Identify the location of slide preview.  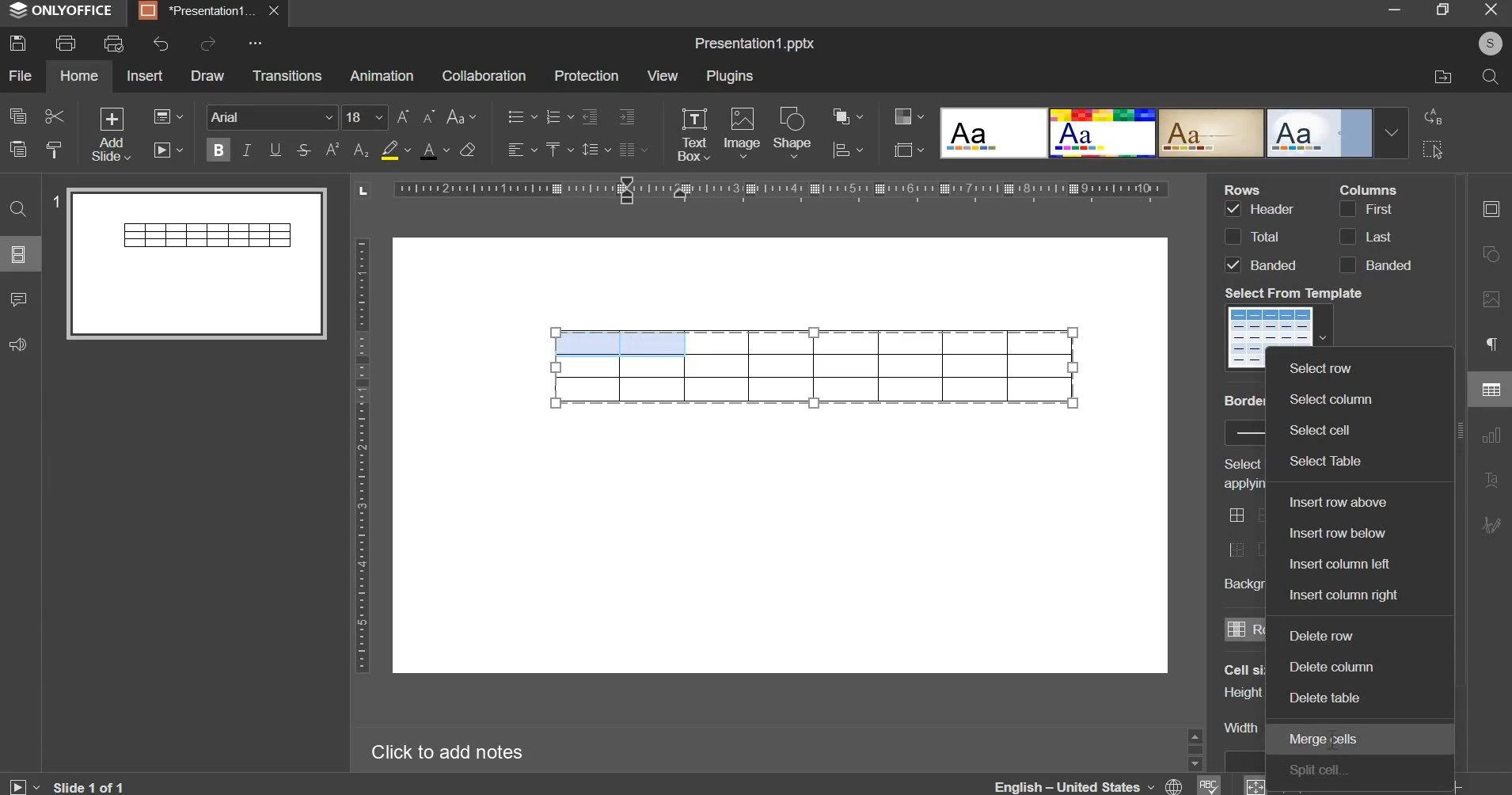
(196, 262).